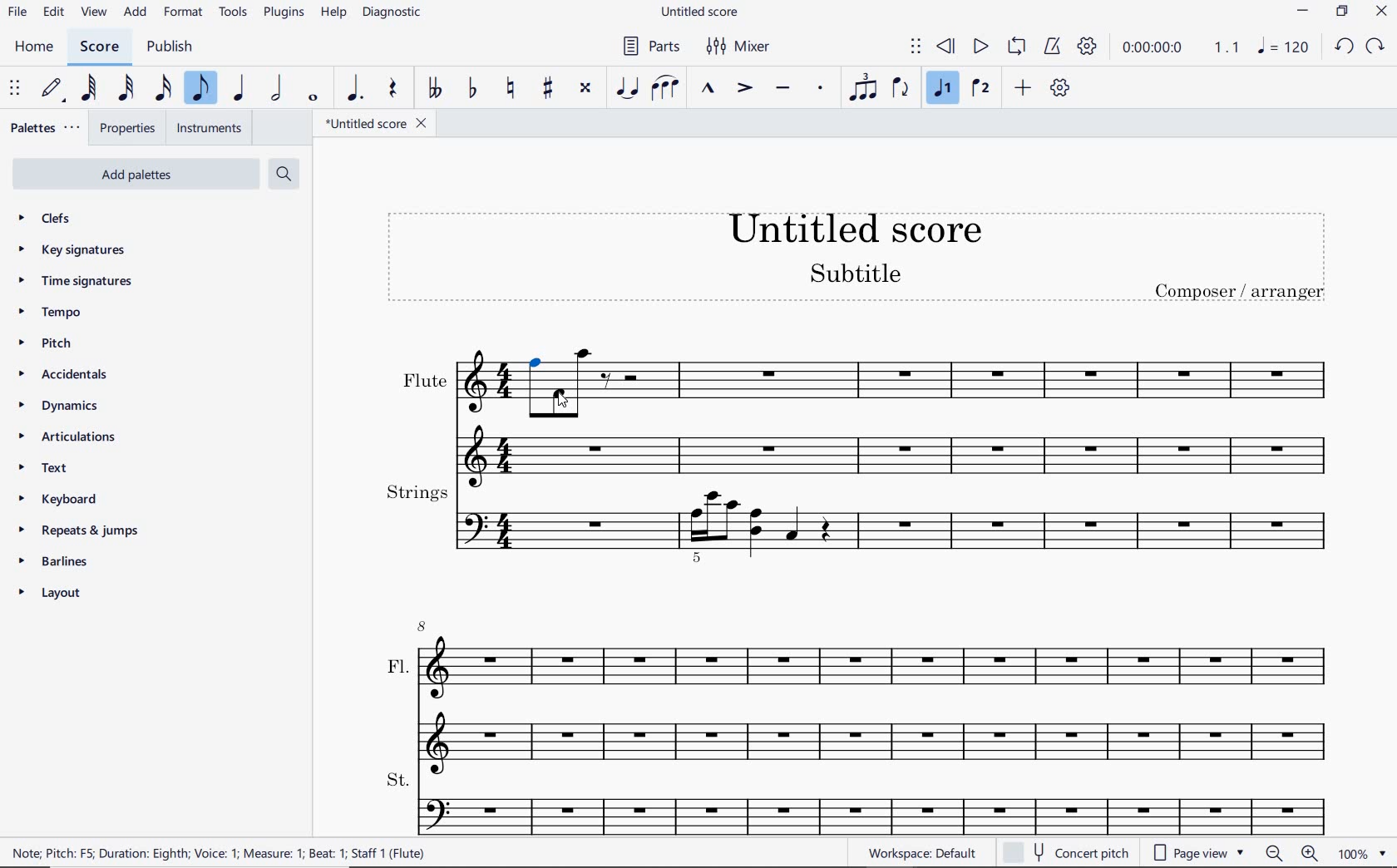  Describe the element at coordinates (1282, 47) in the screenshot. I see `note` at that location.